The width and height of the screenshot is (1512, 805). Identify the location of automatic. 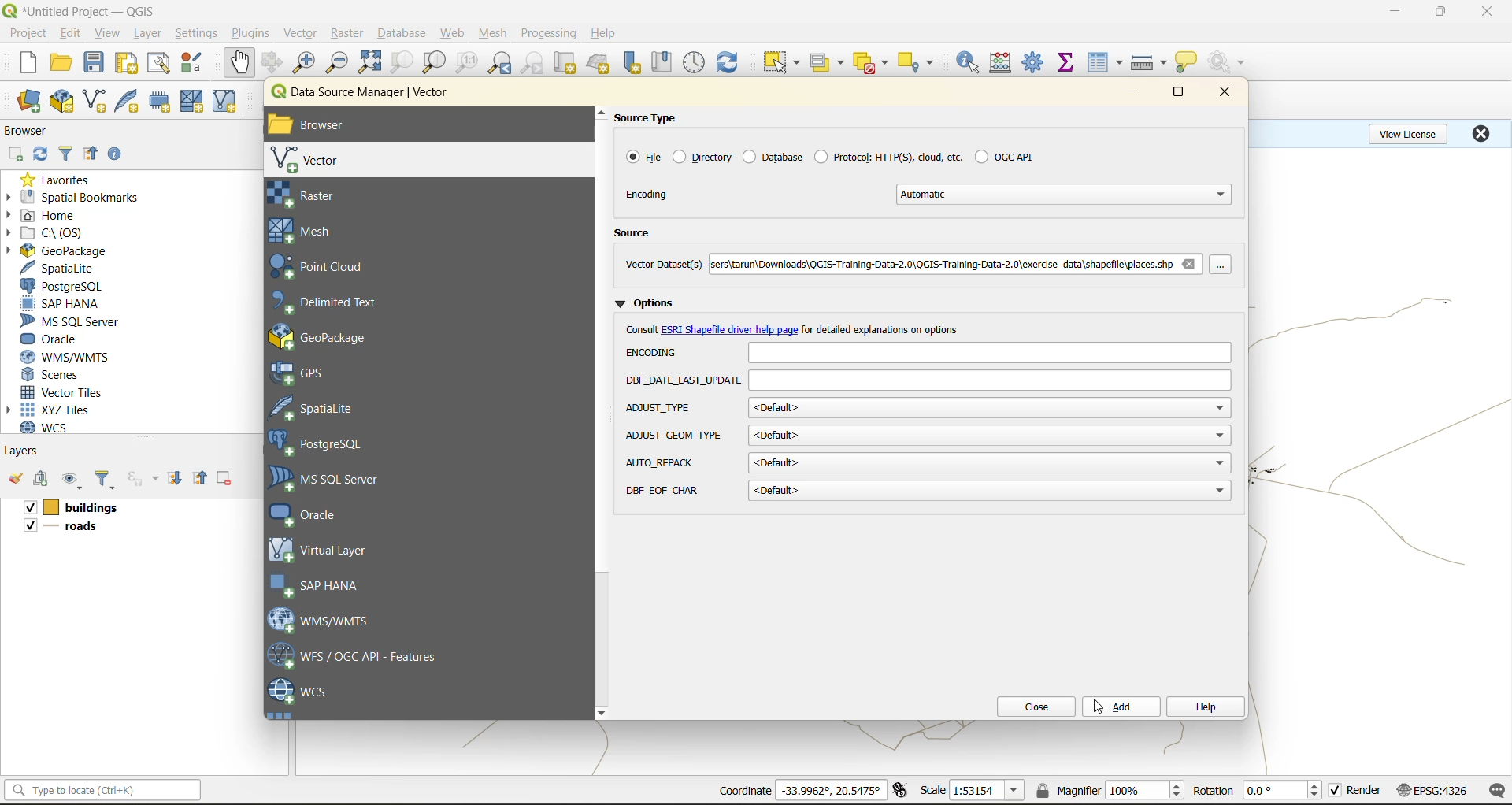
(1066, 194).